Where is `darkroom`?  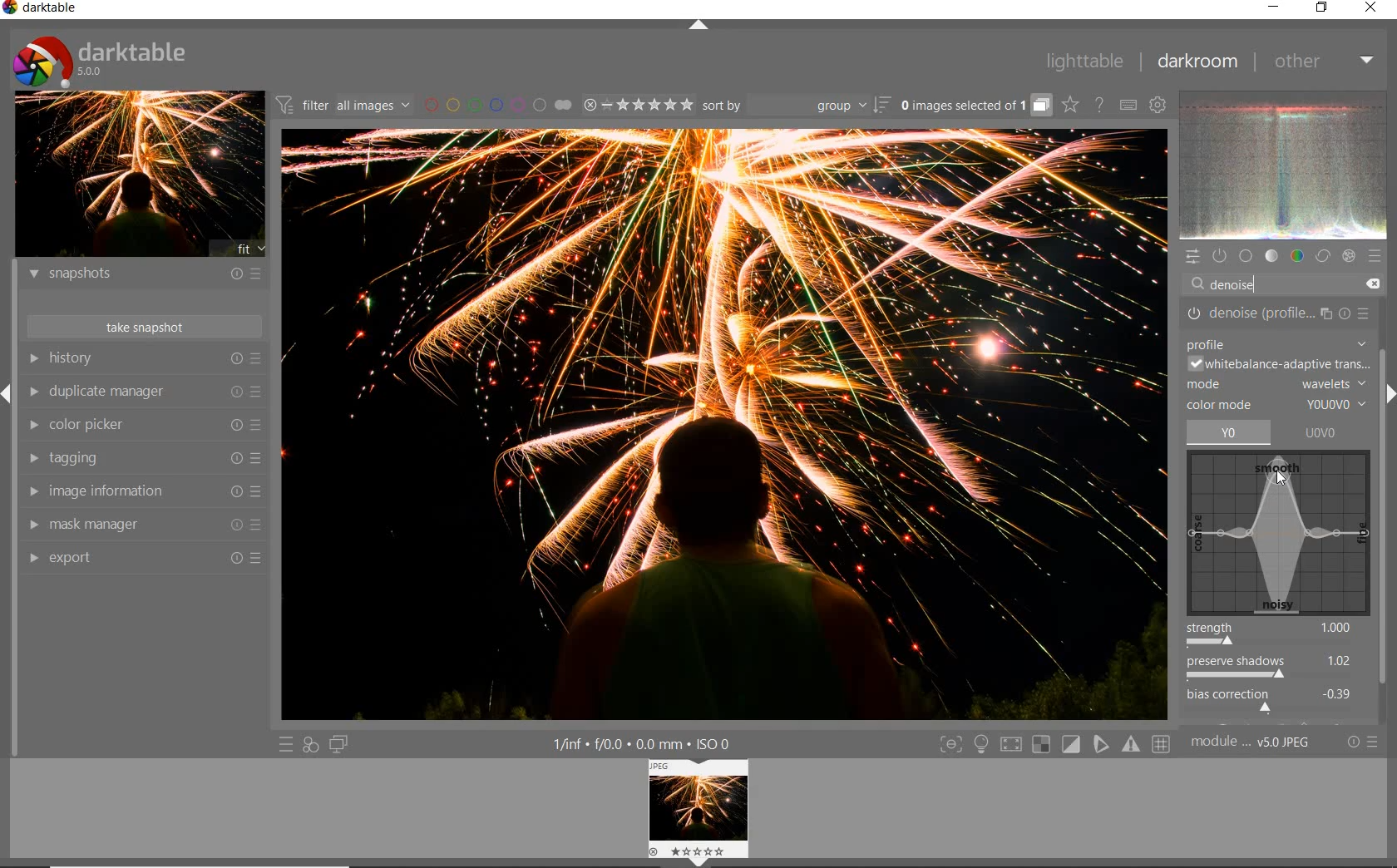 darkroom is located at coordinates (1196, 62).